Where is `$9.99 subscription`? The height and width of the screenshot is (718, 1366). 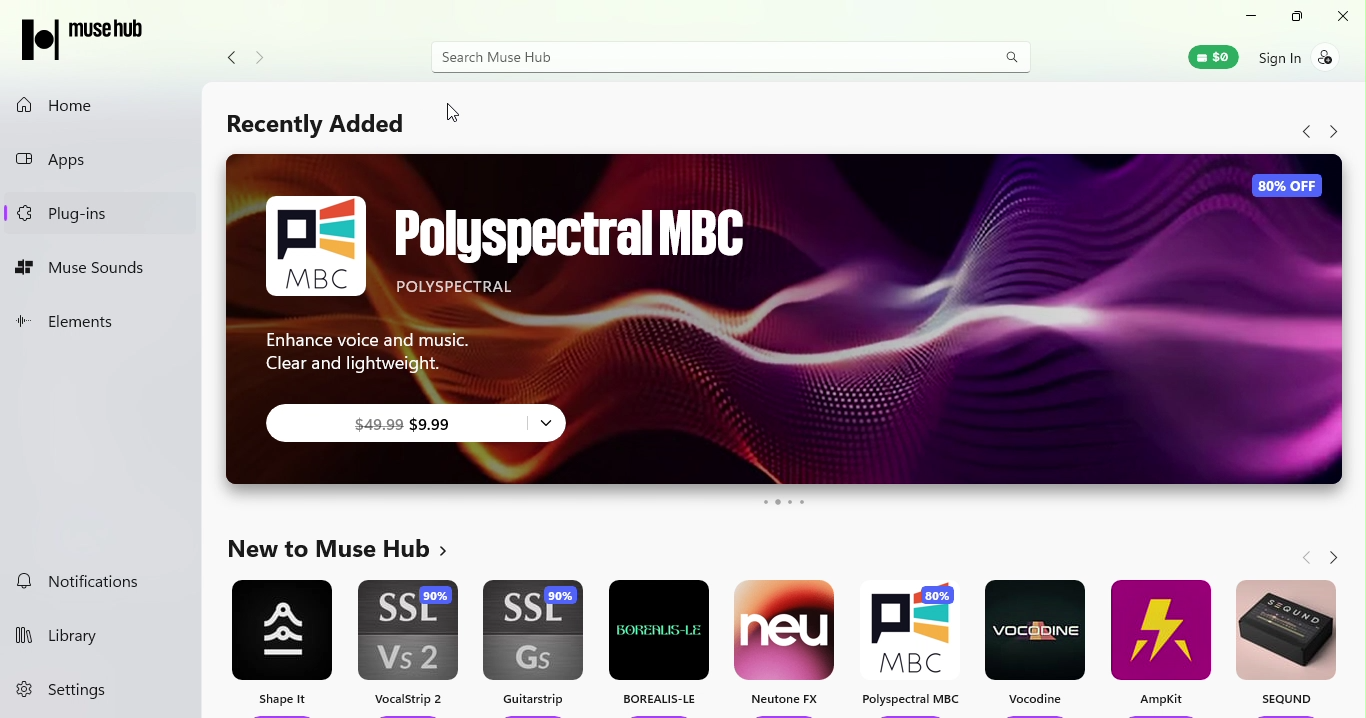 $9.99 subscription is located at coordinates (393, 423).